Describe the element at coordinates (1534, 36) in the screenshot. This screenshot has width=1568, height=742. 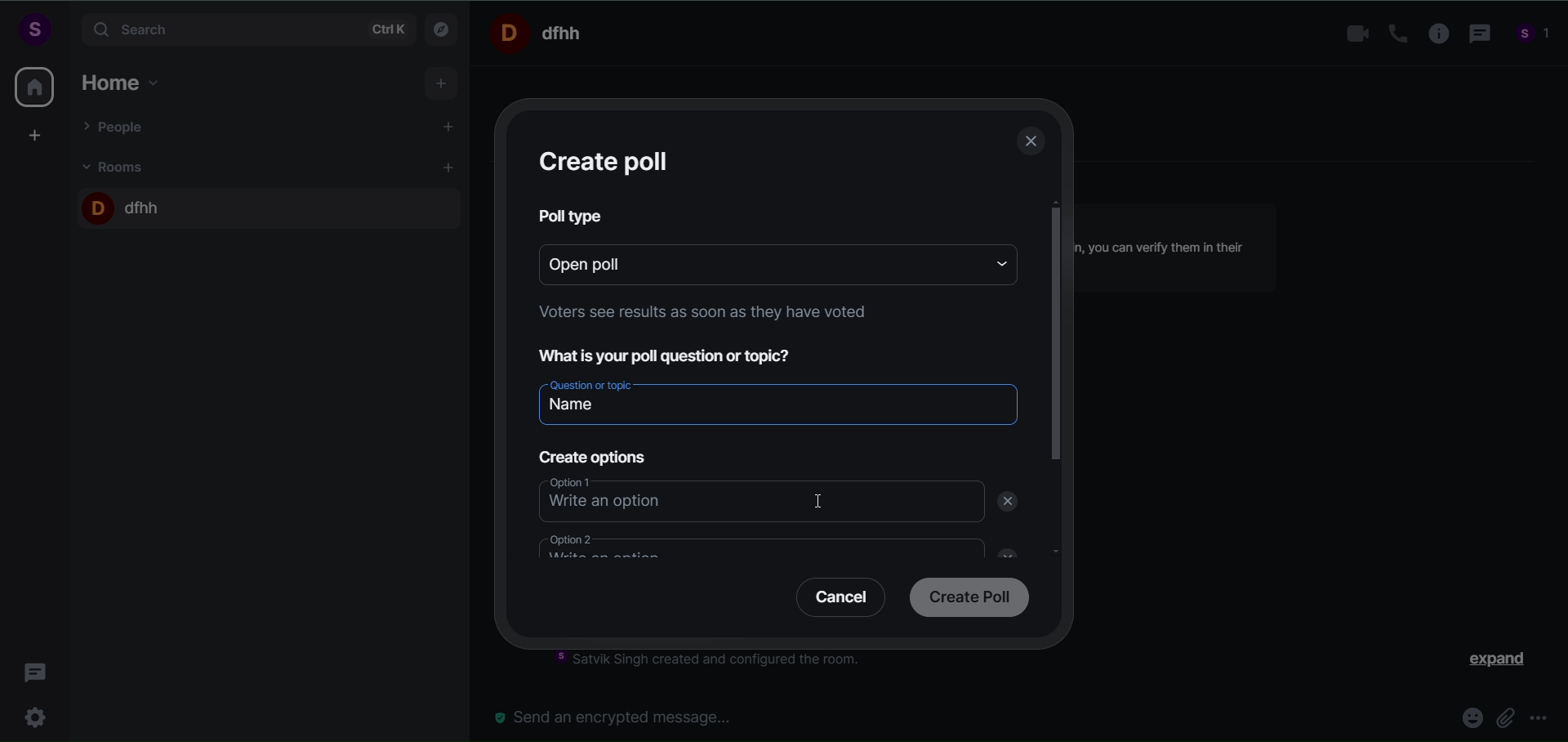
I see `people` at that location.